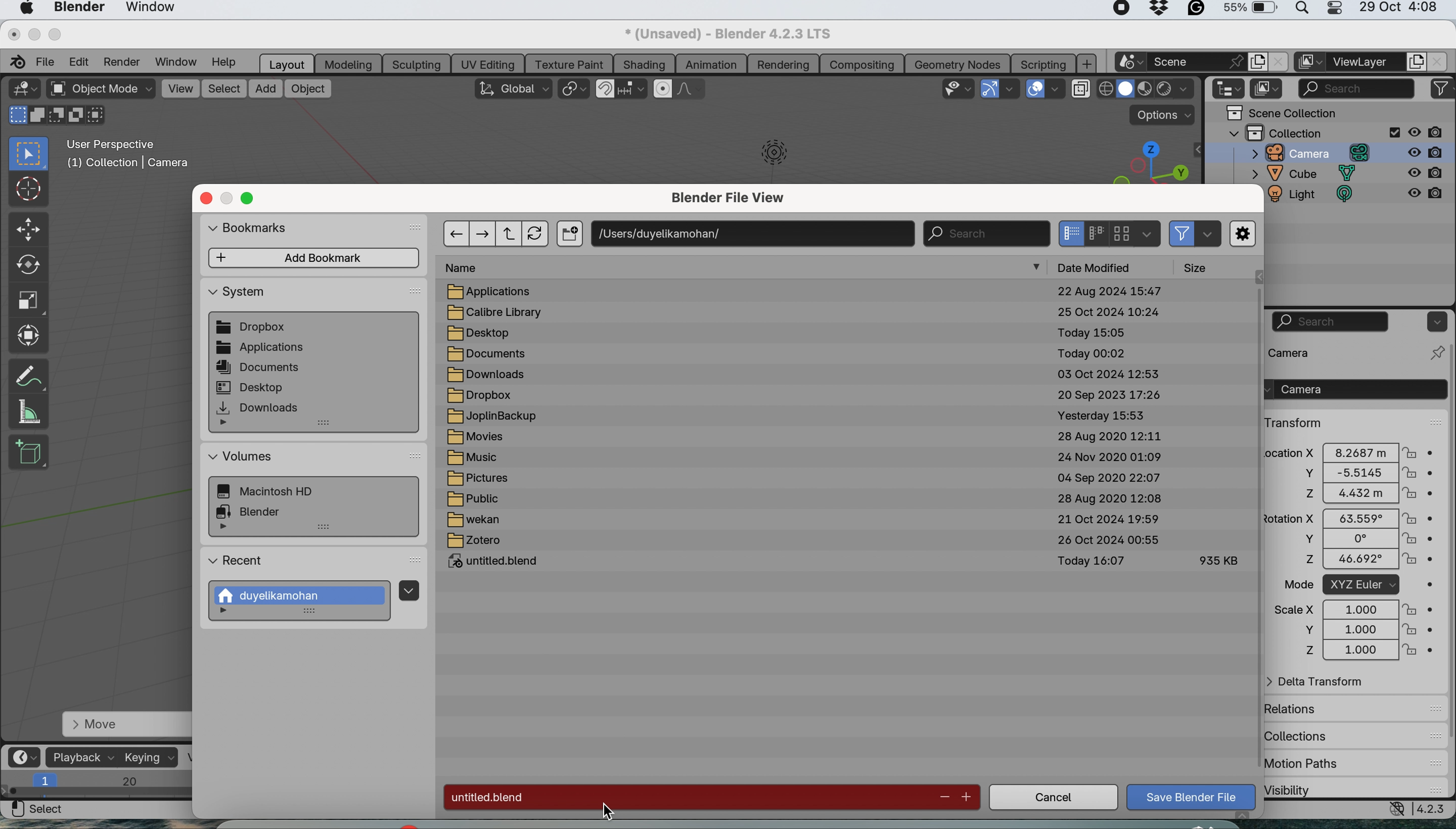  I want to click on sculpting, so click(416, 64).